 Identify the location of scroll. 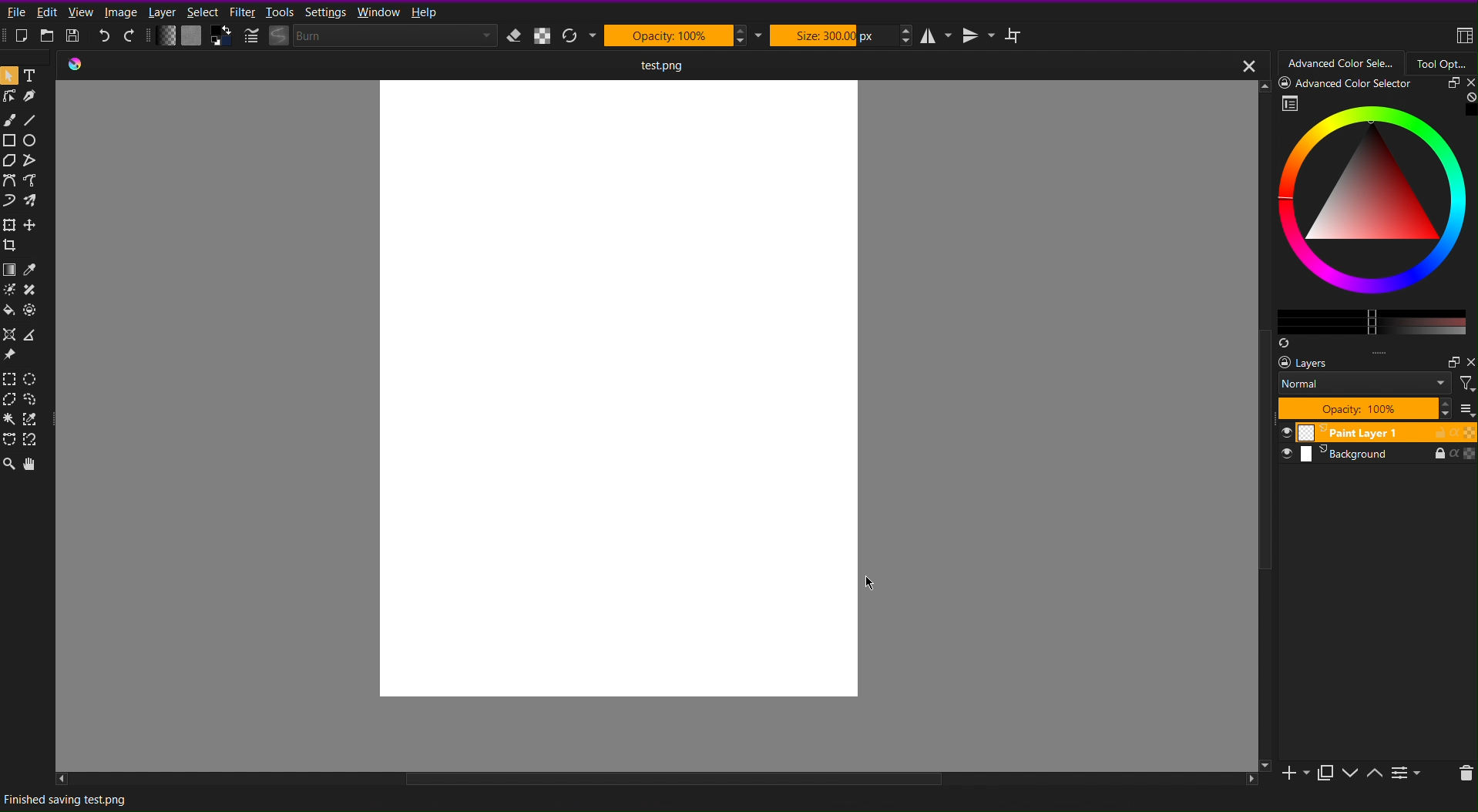
(681, 777).